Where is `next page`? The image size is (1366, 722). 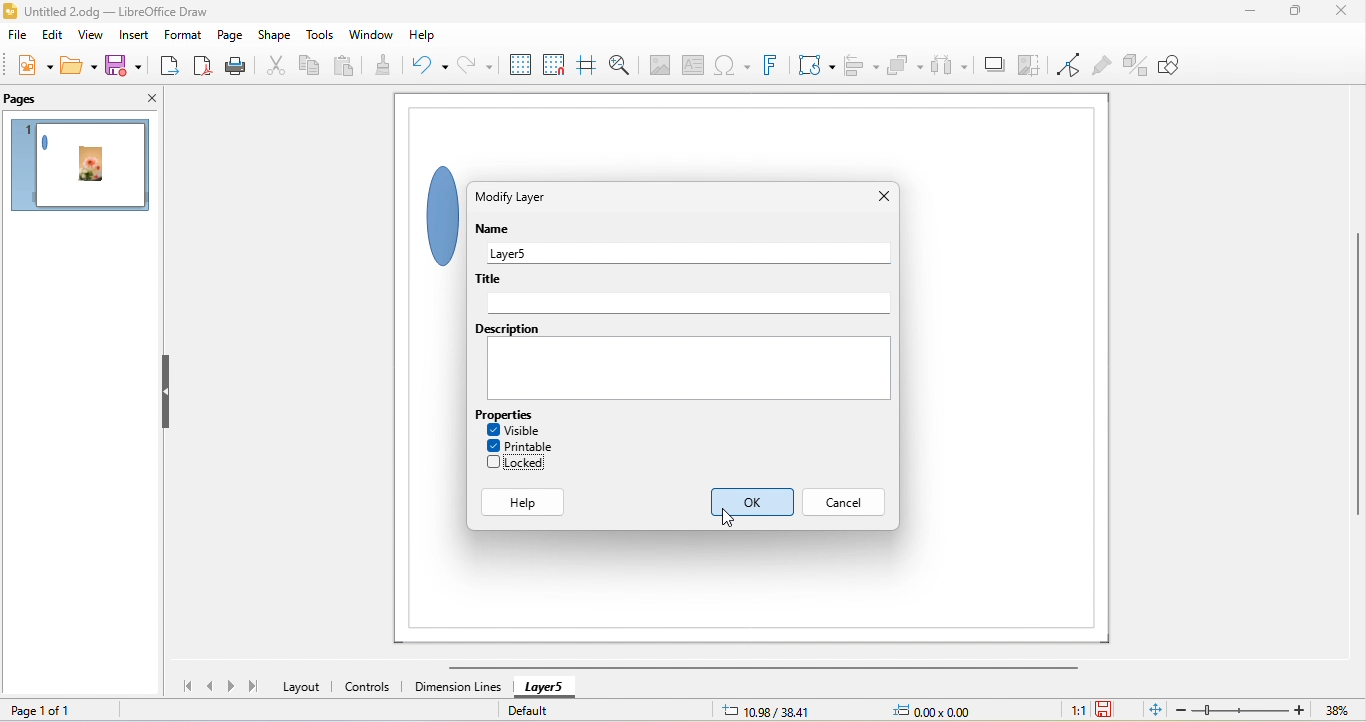
next page is located at coordinates (234, 686).